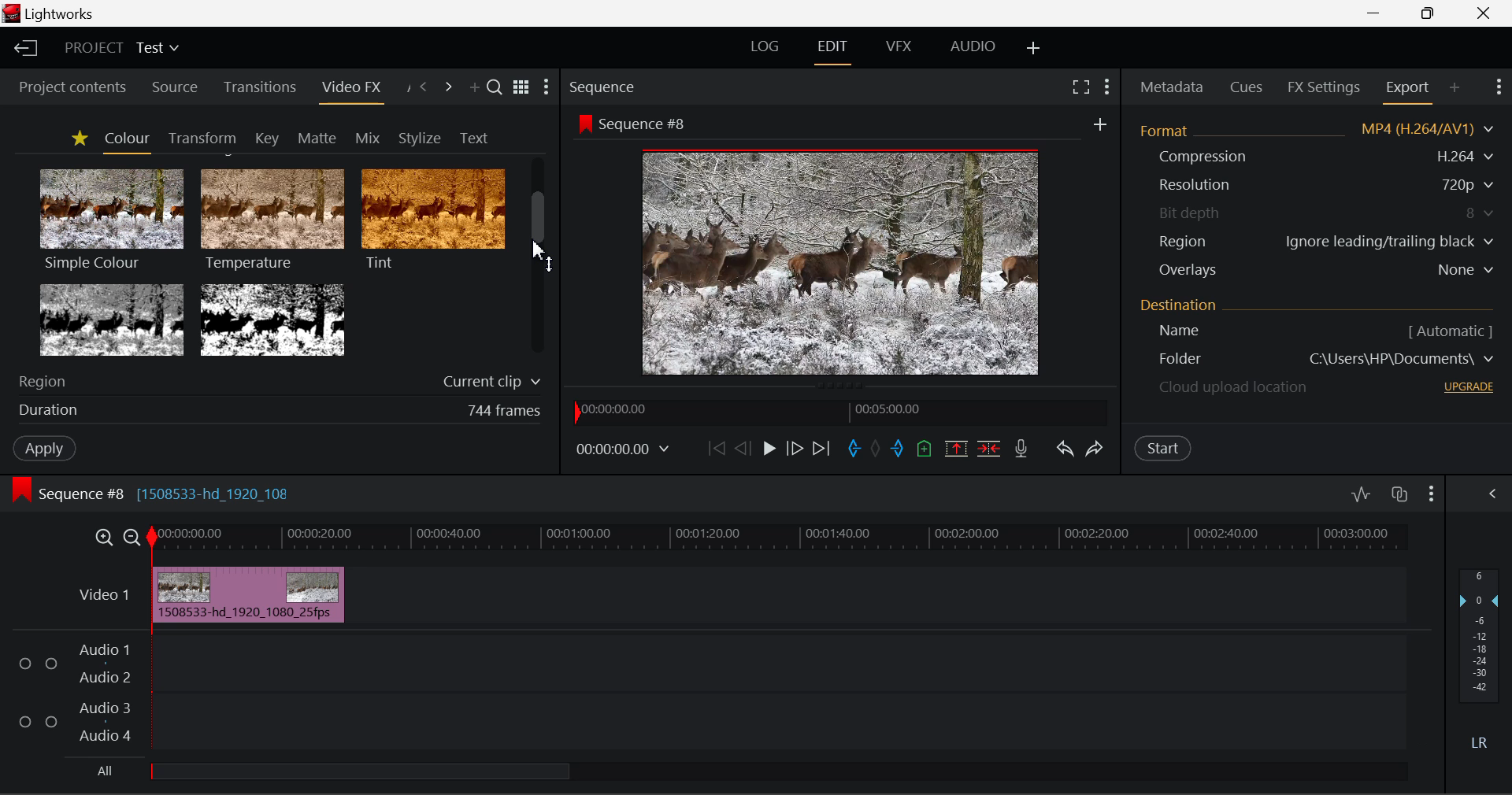  Describe the element at coordinates (1195, 185) in the screenshot. I see `Resolution` at that location.